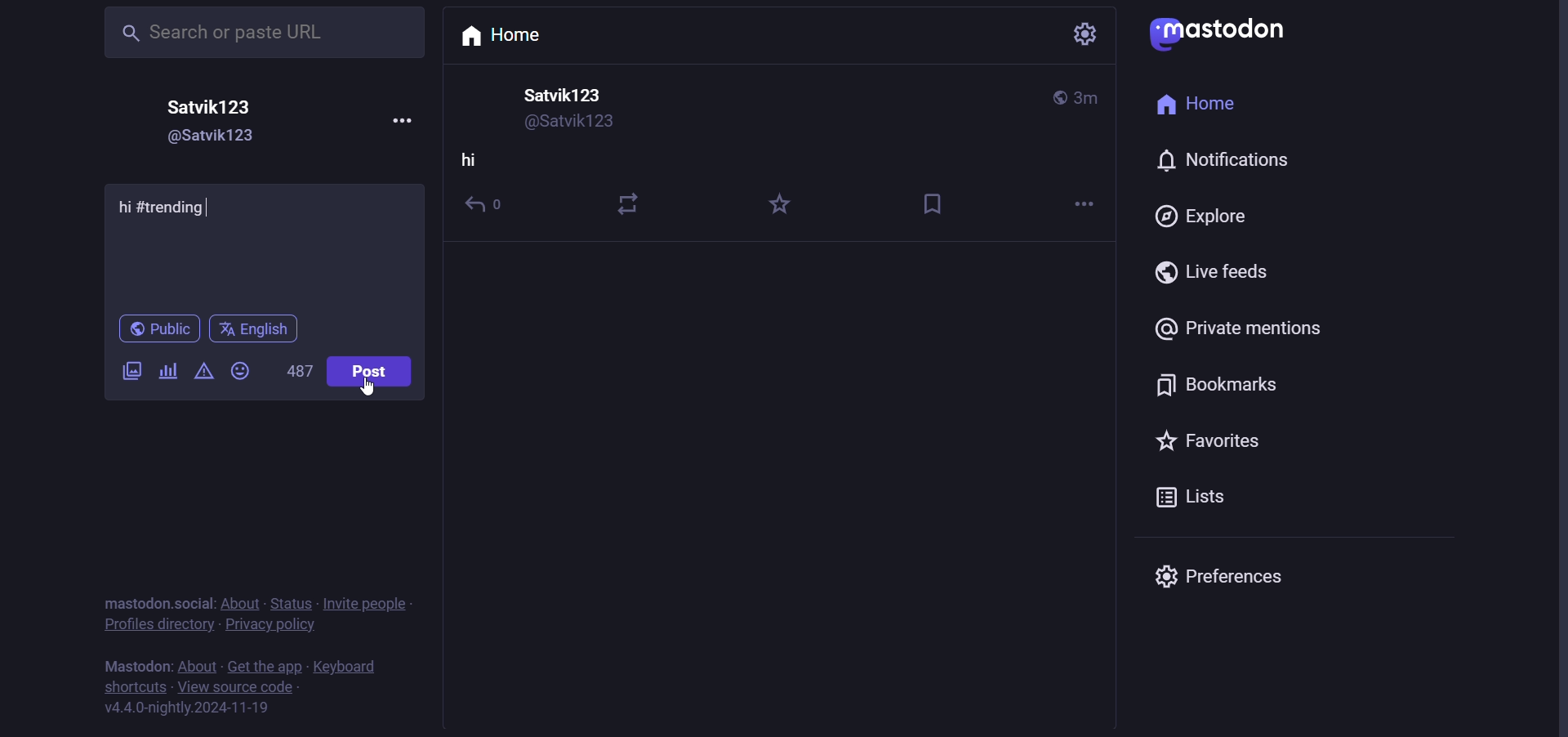 This screenshot has height=737, width=1568. Describe the element at coordinates (1223, 386) in the screenshot. I see `bookmark` at that location.